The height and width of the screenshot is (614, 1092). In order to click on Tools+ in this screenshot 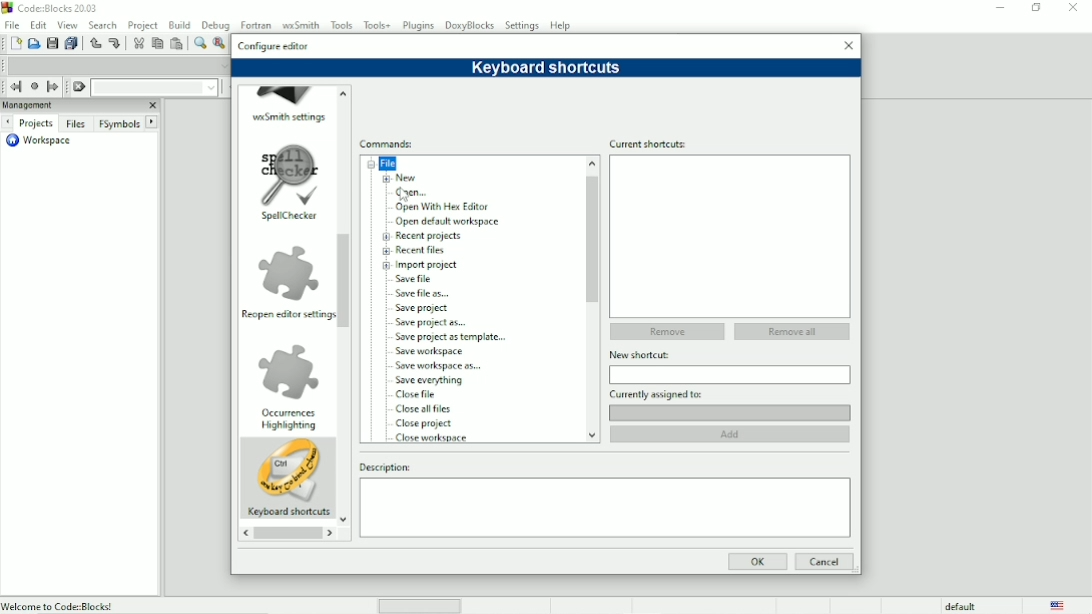, I will do `click(377, 25)`.